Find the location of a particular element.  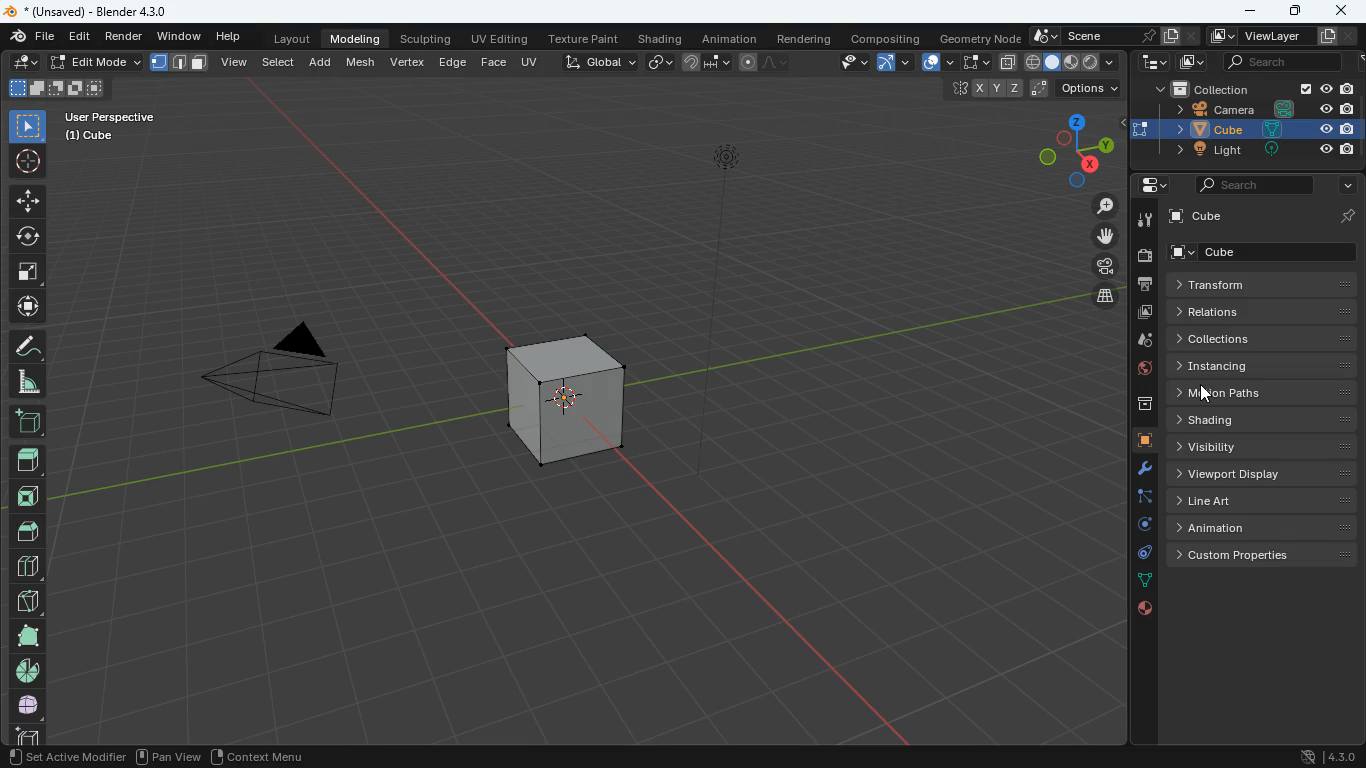

geometry is located at coordinates (980, 38).